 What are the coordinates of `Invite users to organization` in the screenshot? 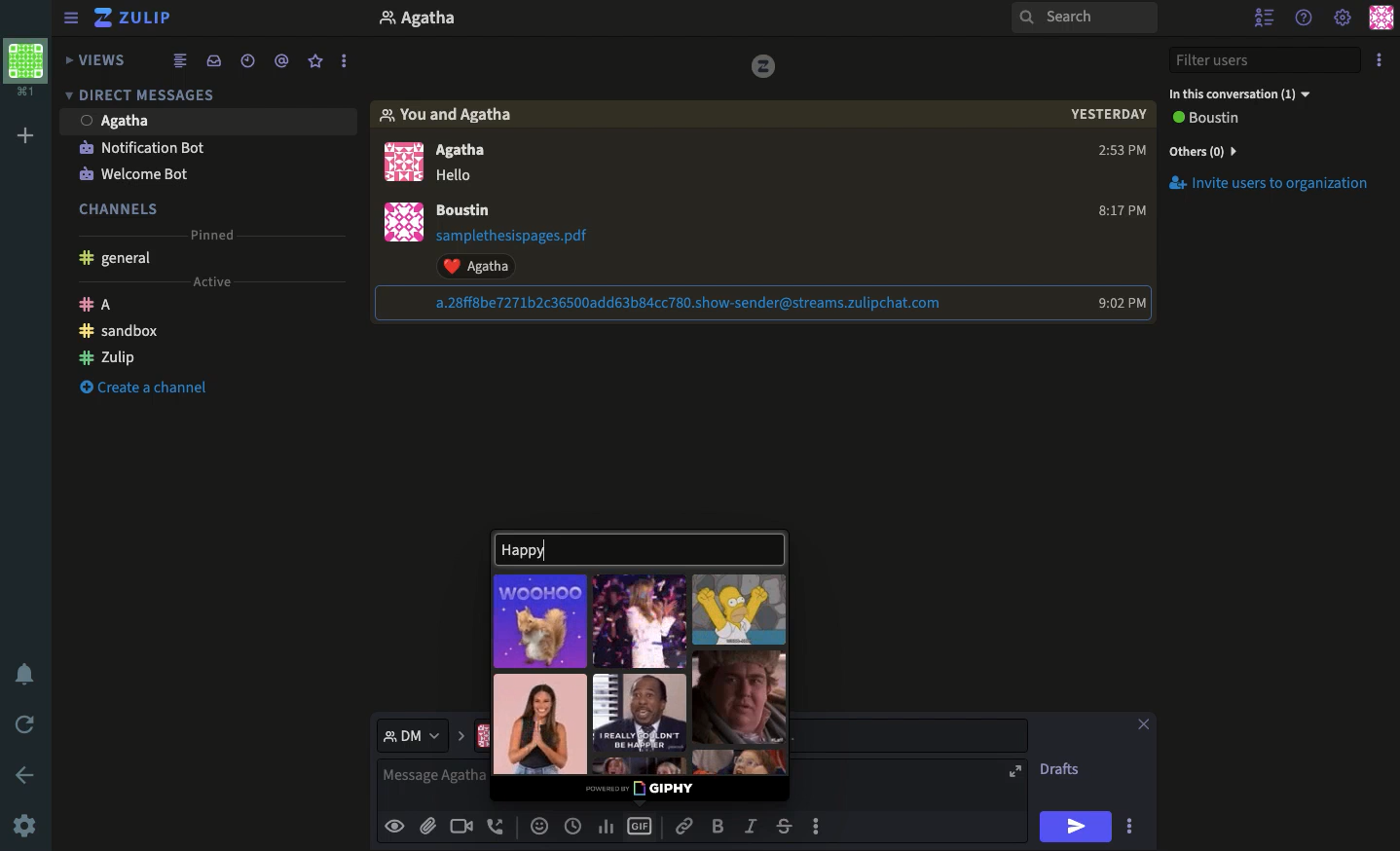 It's located at (1271, 152).